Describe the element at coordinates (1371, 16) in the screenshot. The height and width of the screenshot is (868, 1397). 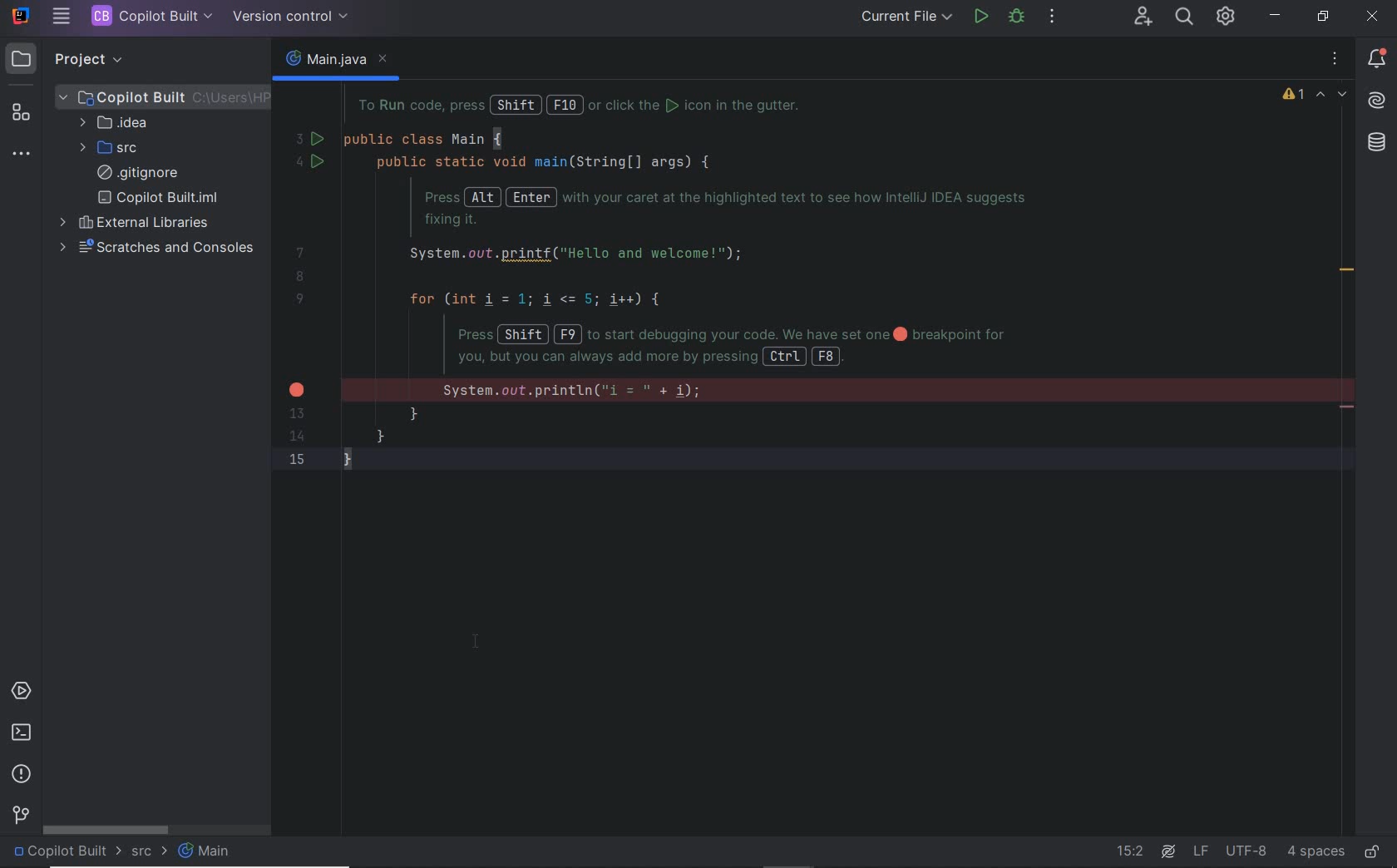
I see `close` at that location.